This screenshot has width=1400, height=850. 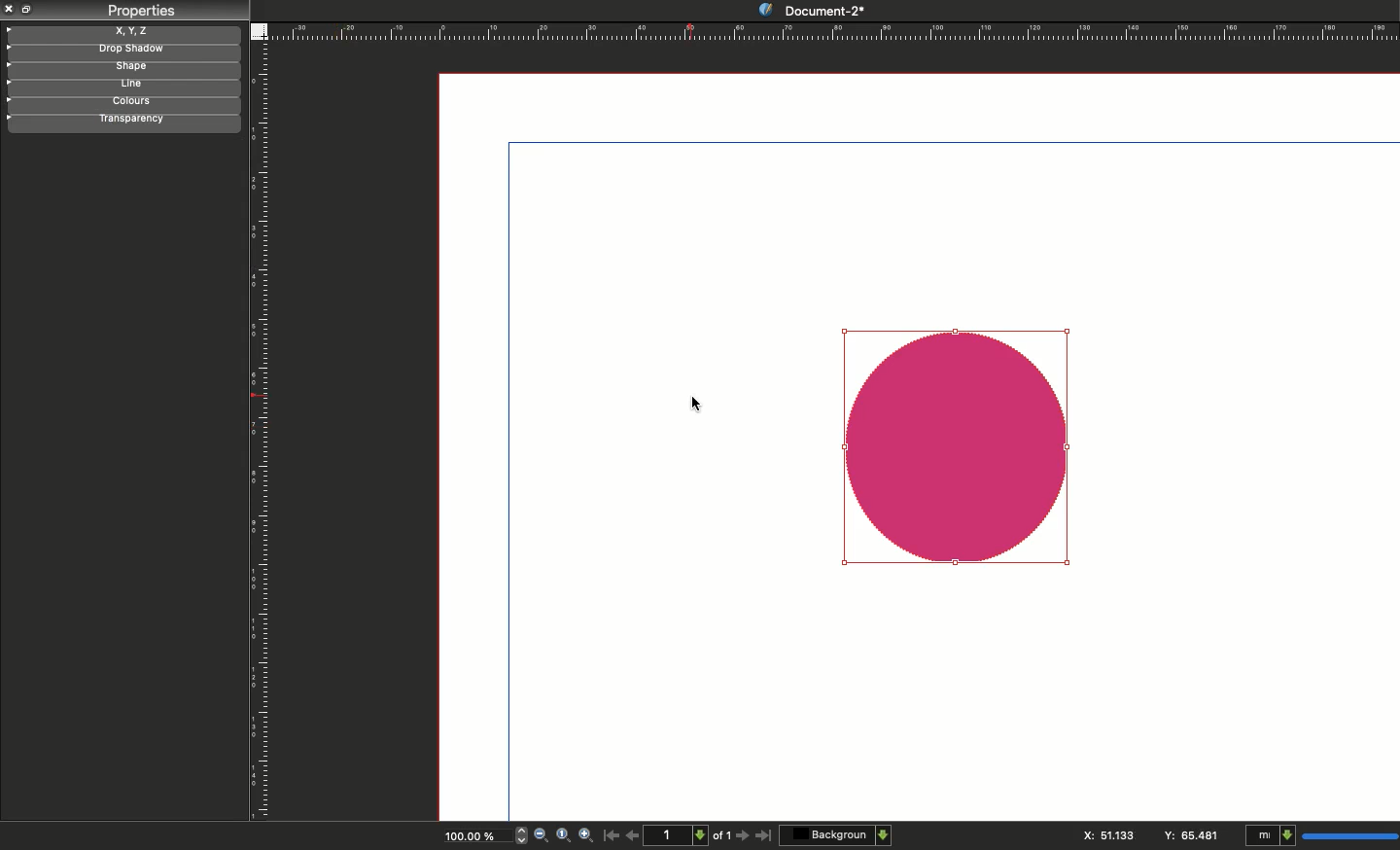 What do you see at coordinates (123, 31) in the screenshot?
I see `X, y, z` at bounding box center [123, 31].